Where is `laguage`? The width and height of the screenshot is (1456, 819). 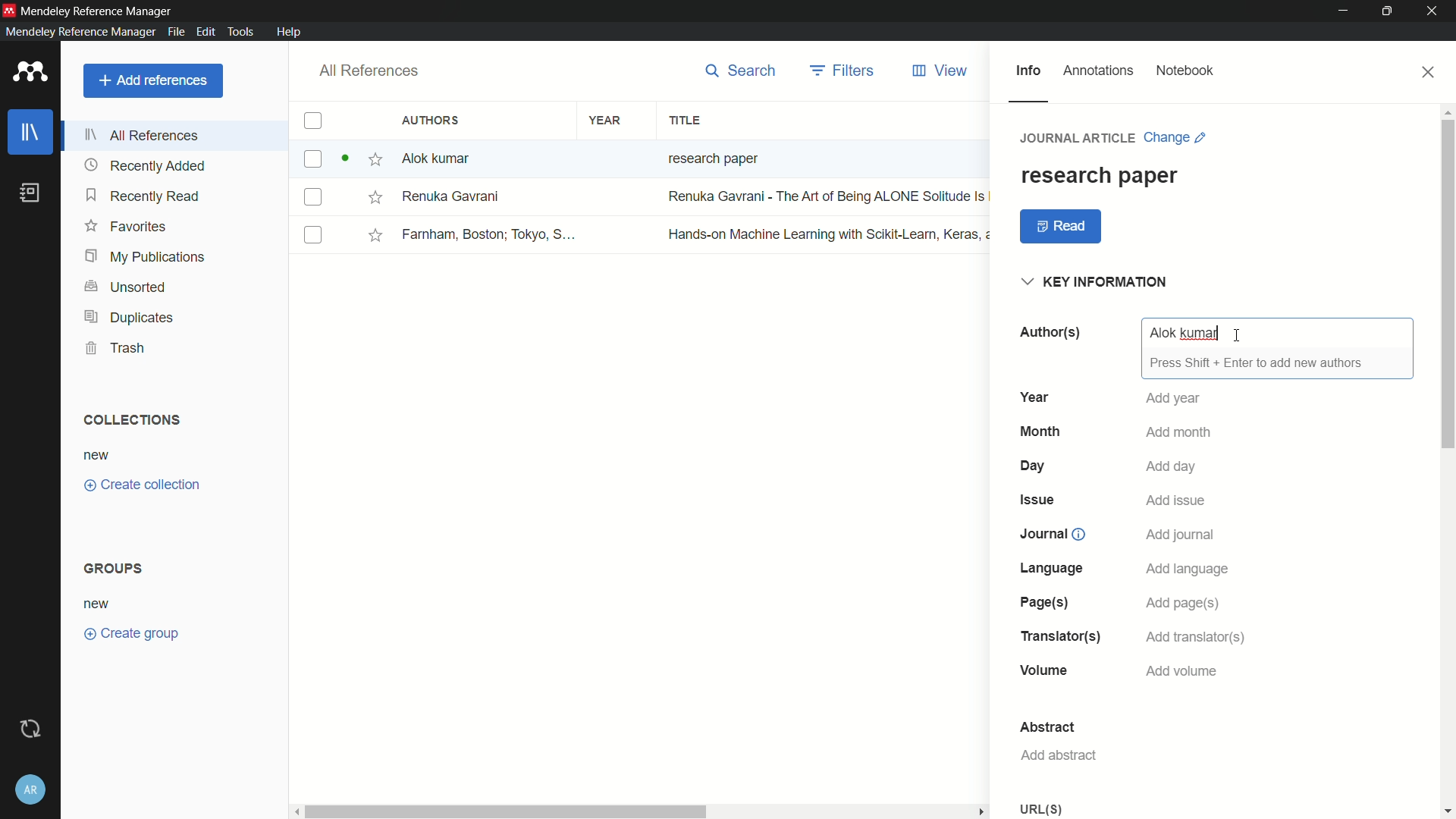
laguage is located at coordinates (1050, 568).